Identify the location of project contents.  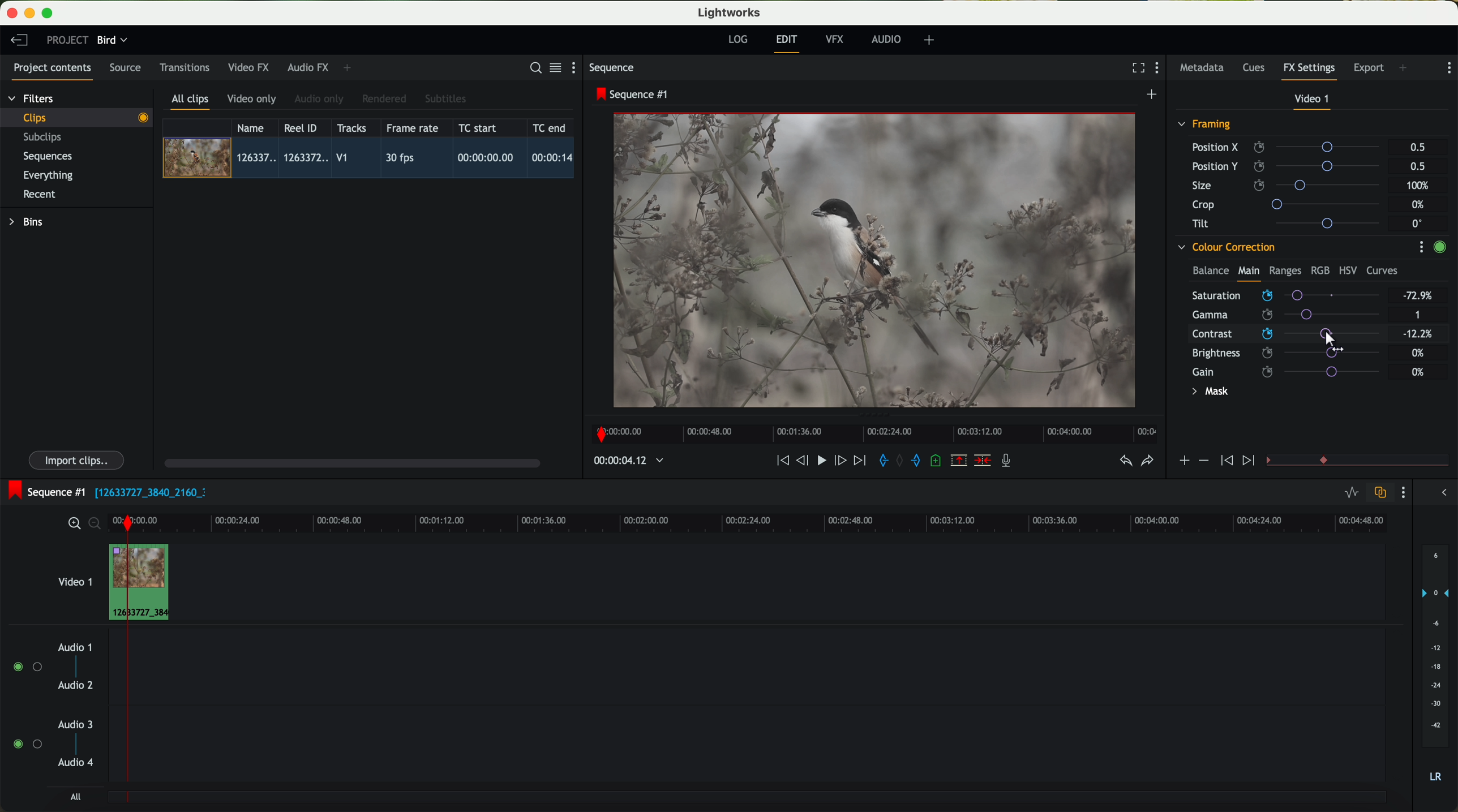
(53, 71).